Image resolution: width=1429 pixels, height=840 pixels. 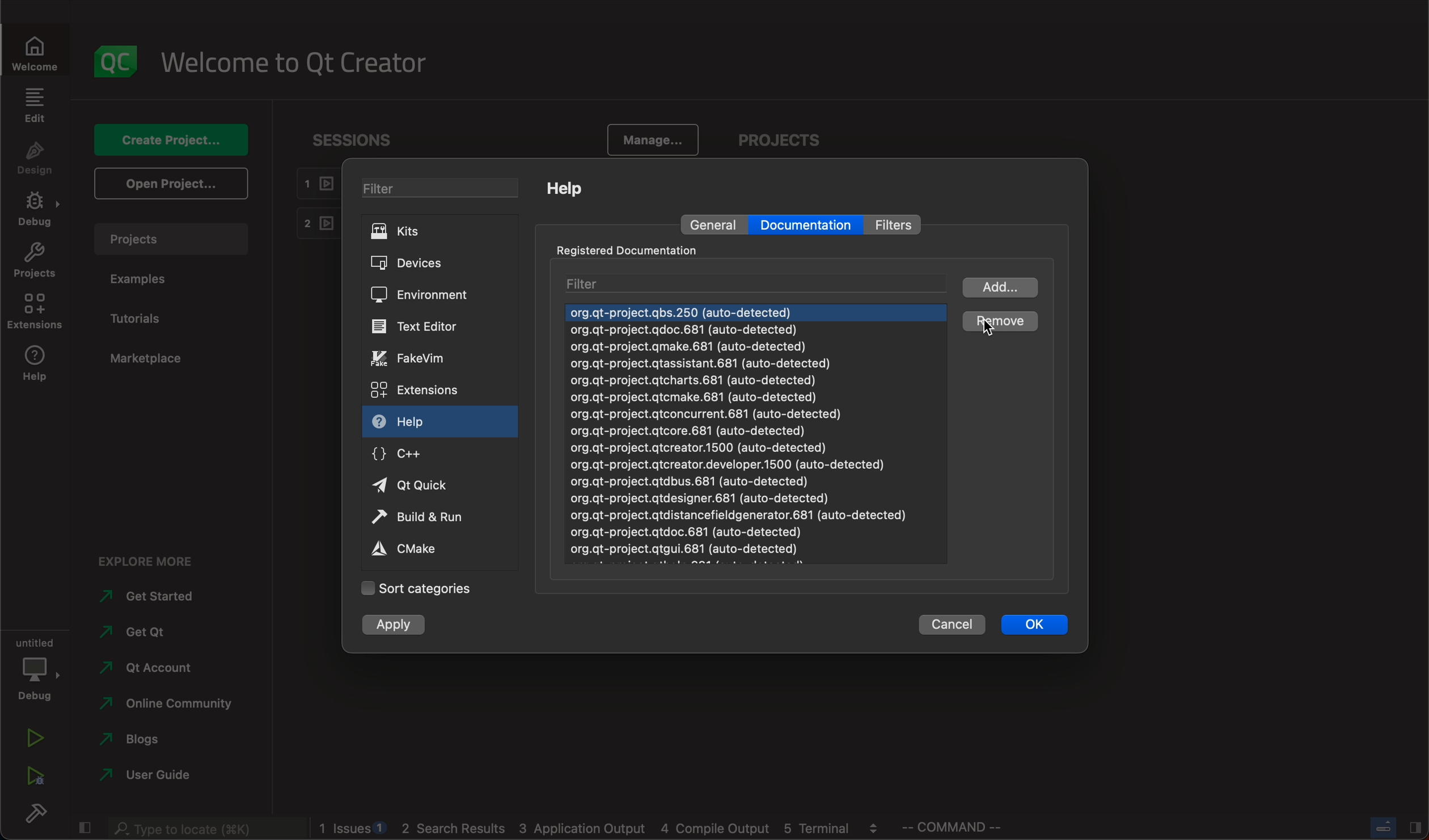 I want to click on help, so click(x=412, y=422).